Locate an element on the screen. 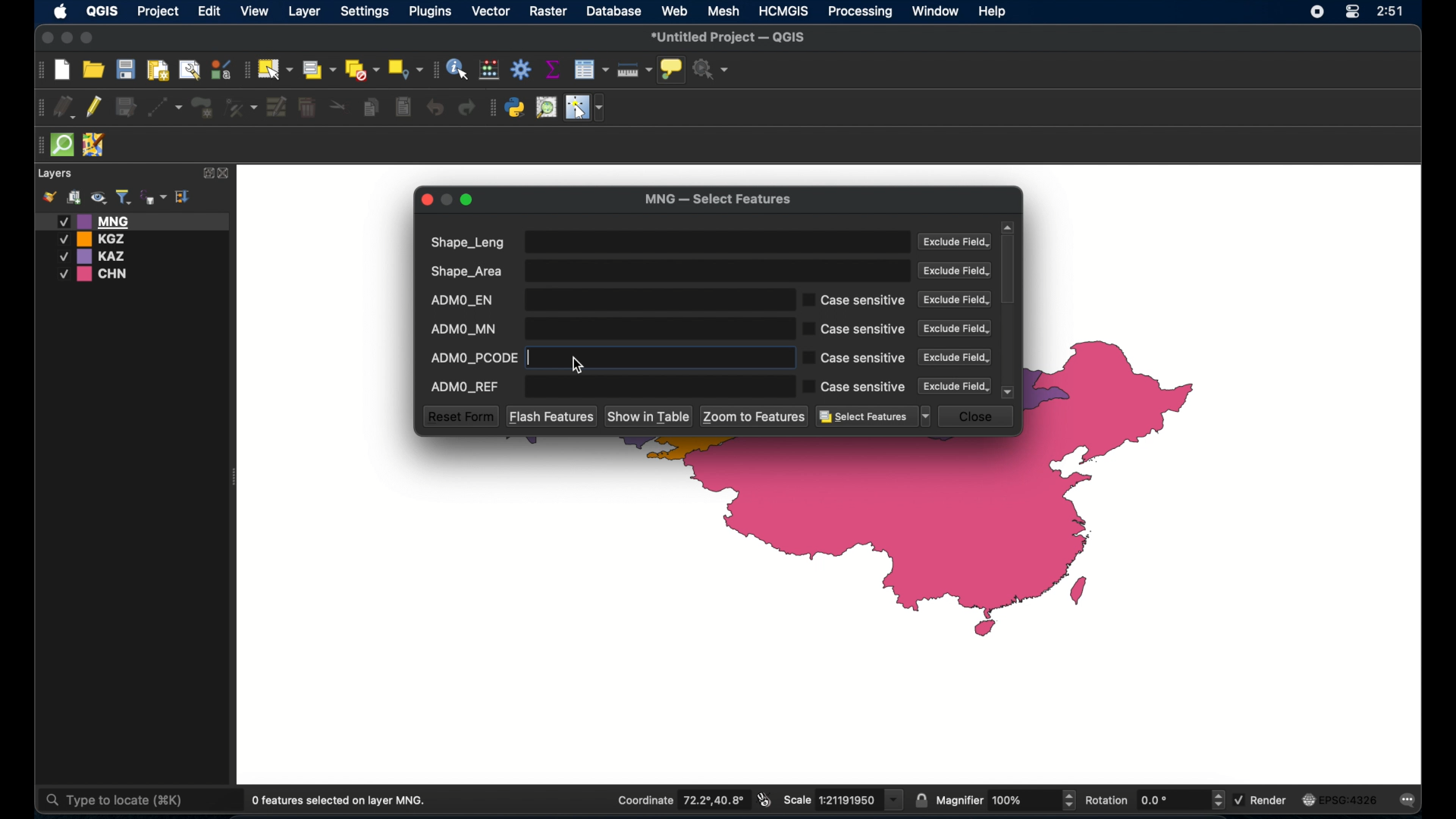  scroll down arrow is located at coordinates (1009, 392).